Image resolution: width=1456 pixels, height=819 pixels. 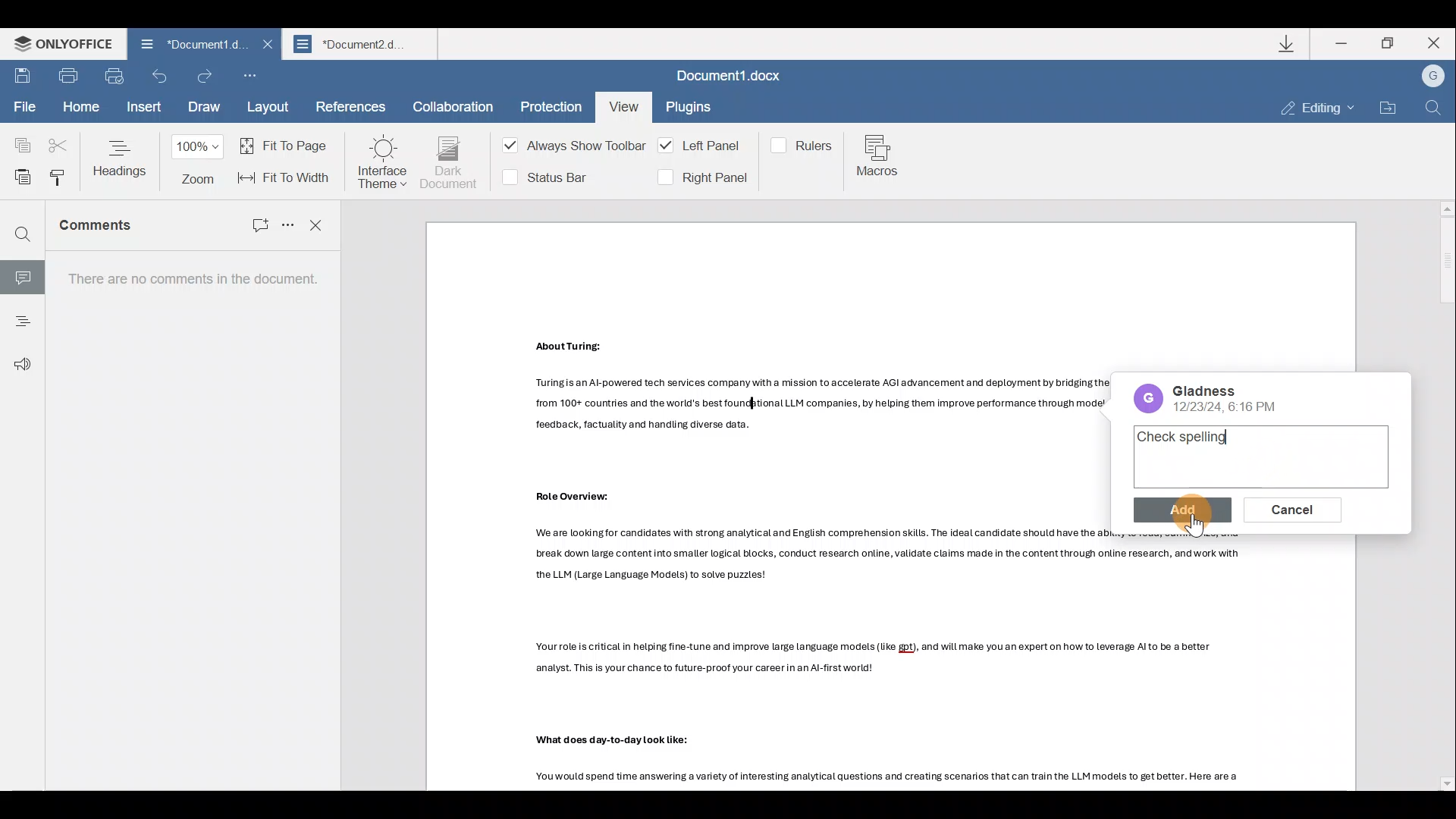 I want to click on Zoom, so click(x=200, y=162).